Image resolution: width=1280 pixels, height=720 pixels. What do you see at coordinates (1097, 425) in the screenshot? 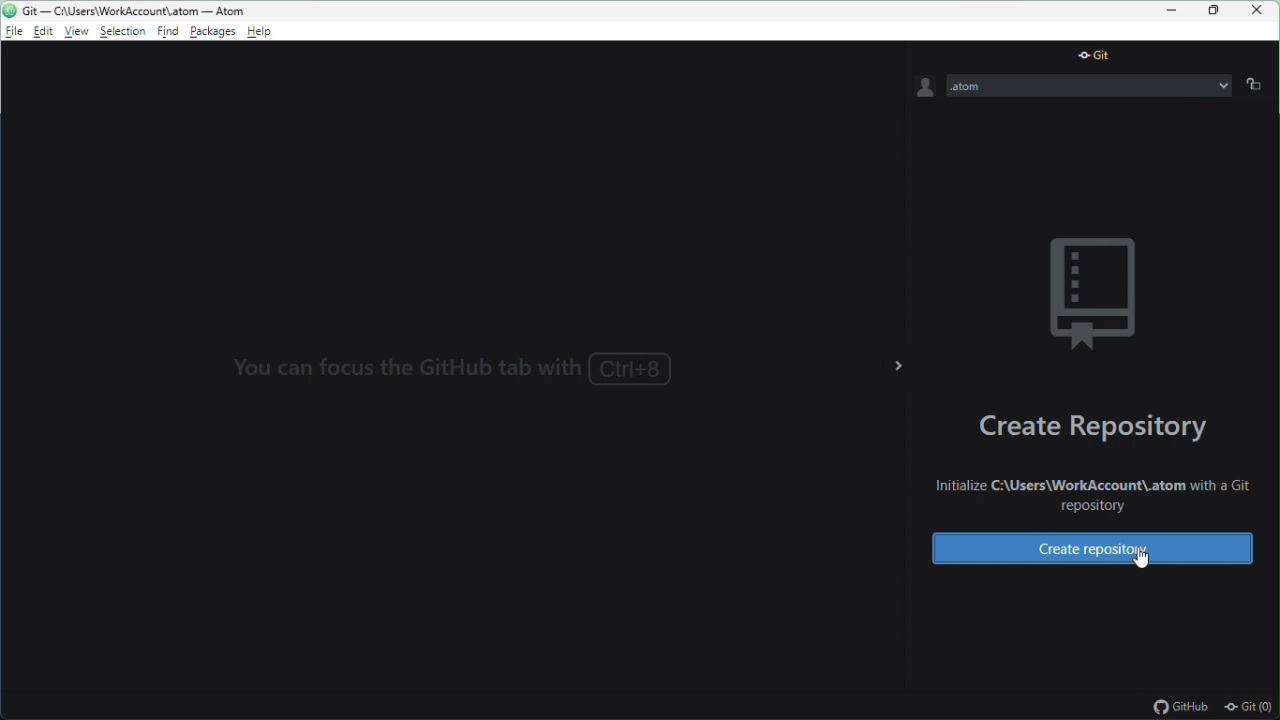
I see `create repository` at bounding box center [1097, 425].